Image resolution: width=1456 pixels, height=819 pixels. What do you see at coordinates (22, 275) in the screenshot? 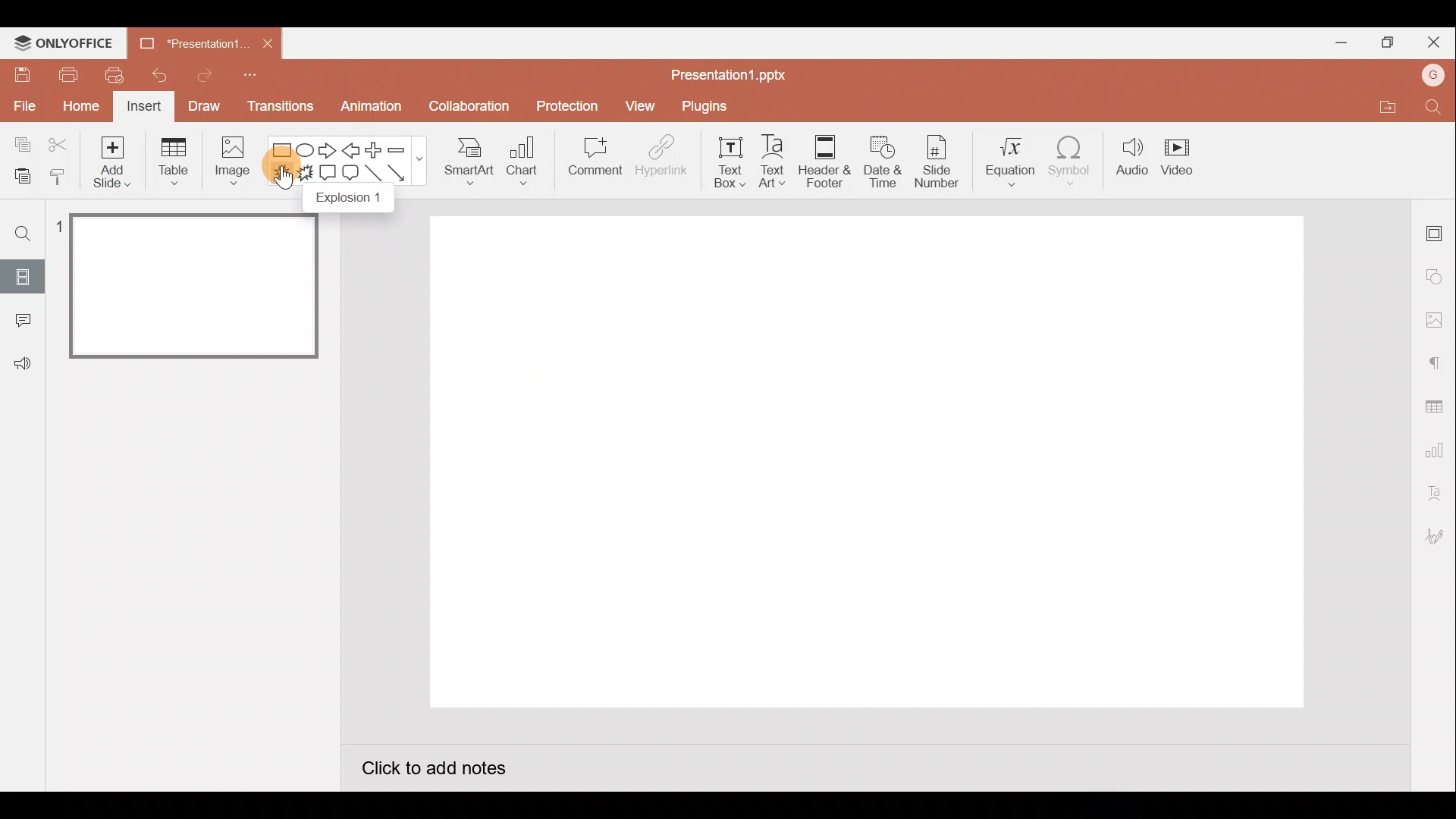
I see `Slides` at bounding box center [22, 275].